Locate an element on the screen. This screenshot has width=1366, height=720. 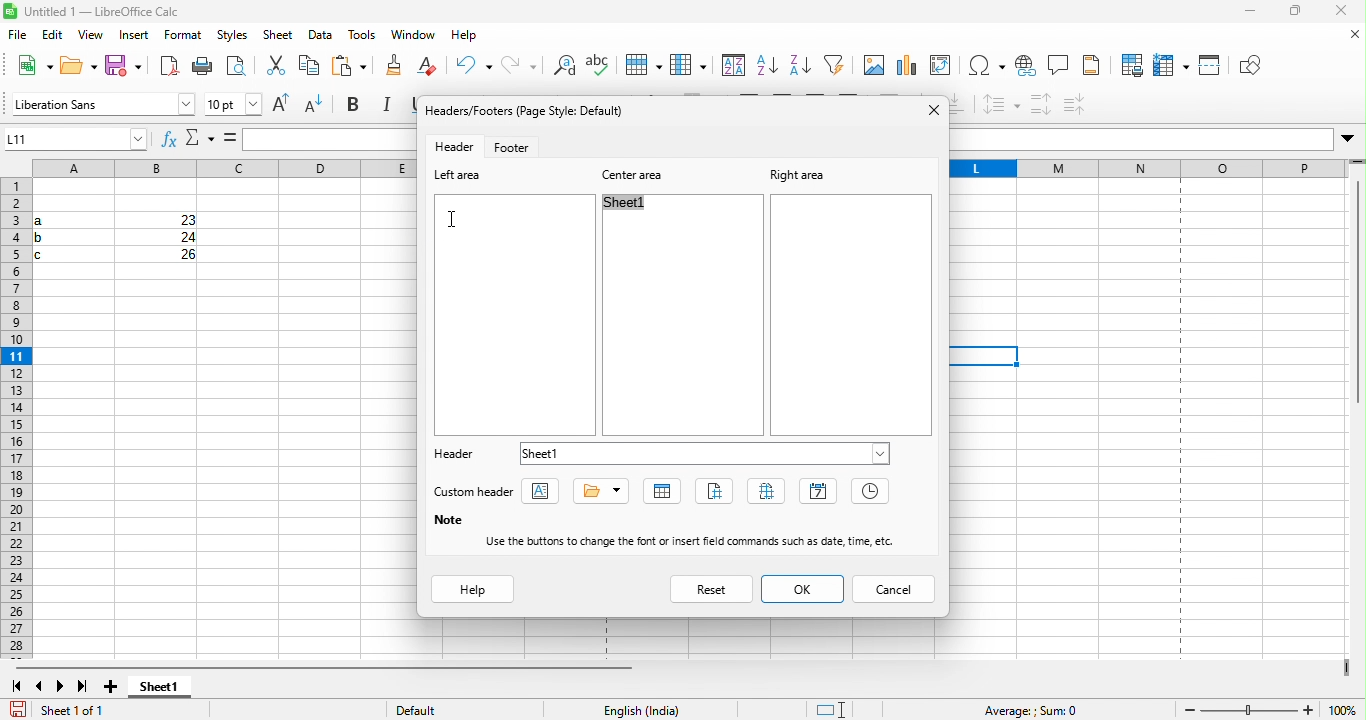
sheet 1 is located at coordinates (167, 690).